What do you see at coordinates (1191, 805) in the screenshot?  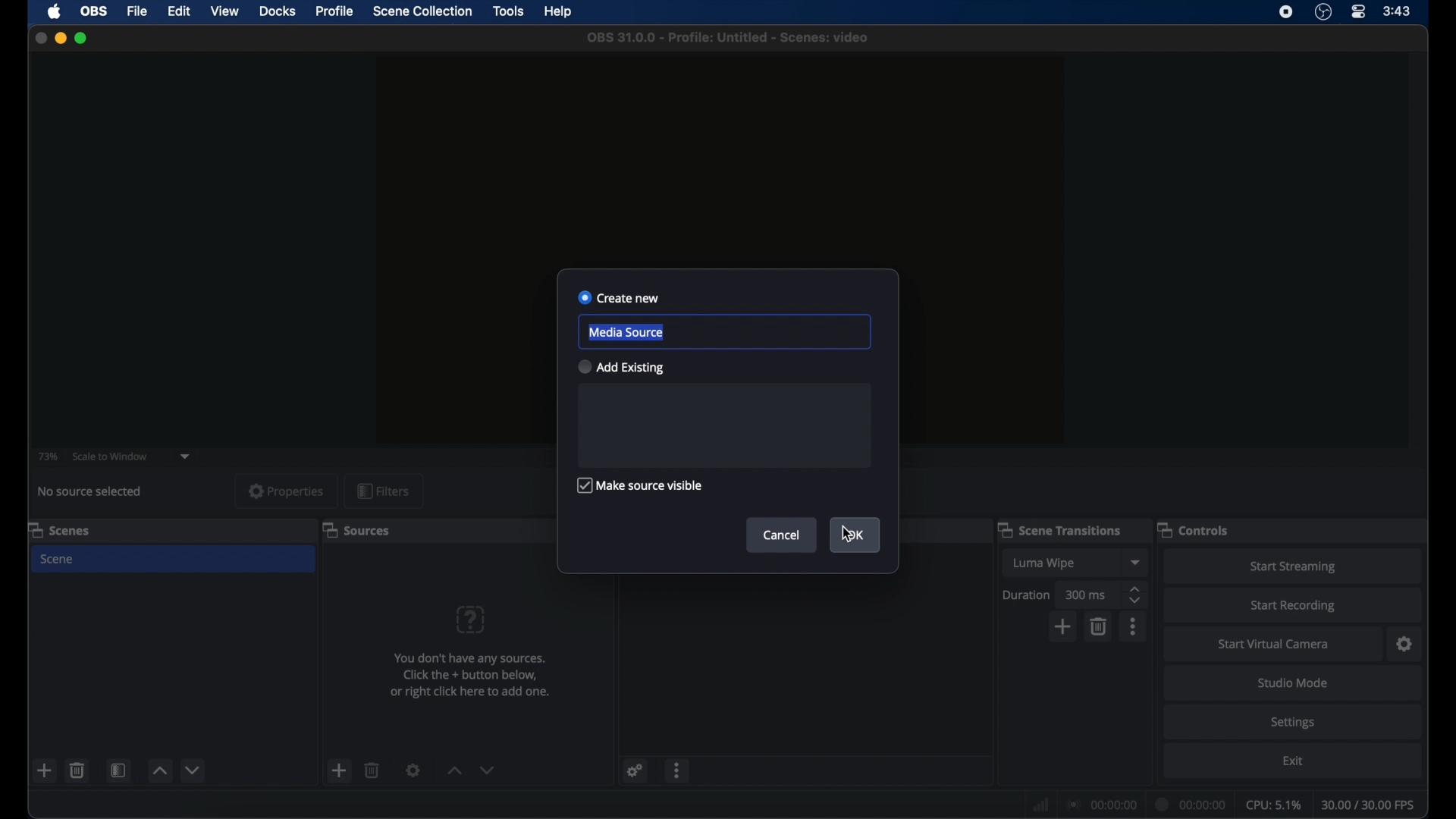 I see `00:00:00` at bounding box center [1191, 805].